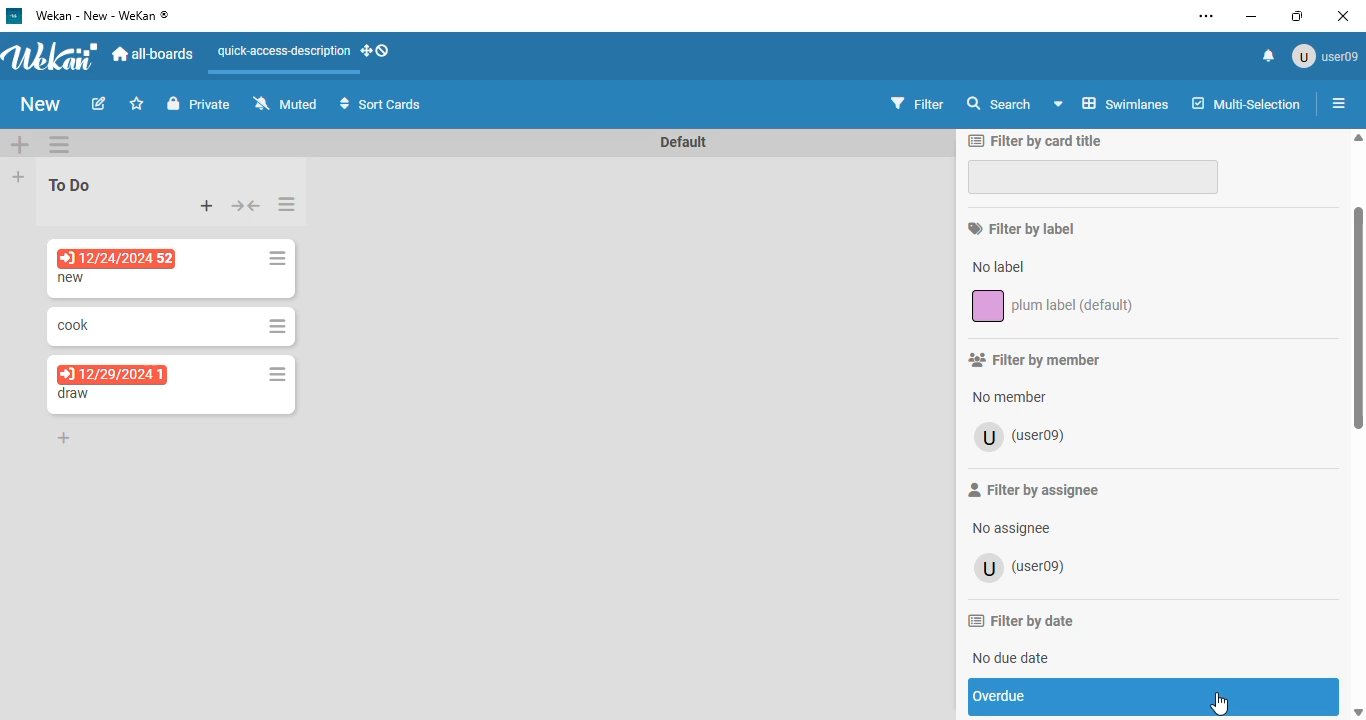  What do you see at coordinates (100, 103) in the screenshot?
I see `edit` at bounding box center [100, 103].